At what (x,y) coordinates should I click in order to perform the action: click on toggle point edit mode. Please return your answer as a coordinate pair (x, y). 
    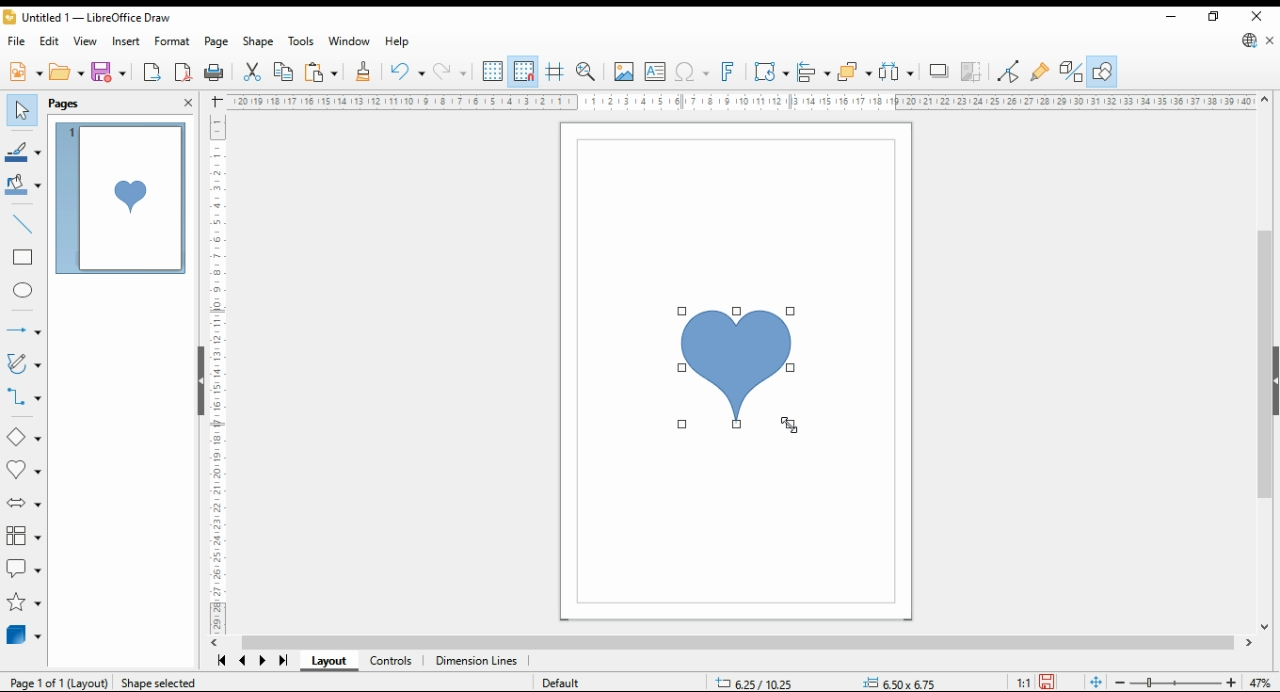
    Looking at the image, I should click on (1010, 73).